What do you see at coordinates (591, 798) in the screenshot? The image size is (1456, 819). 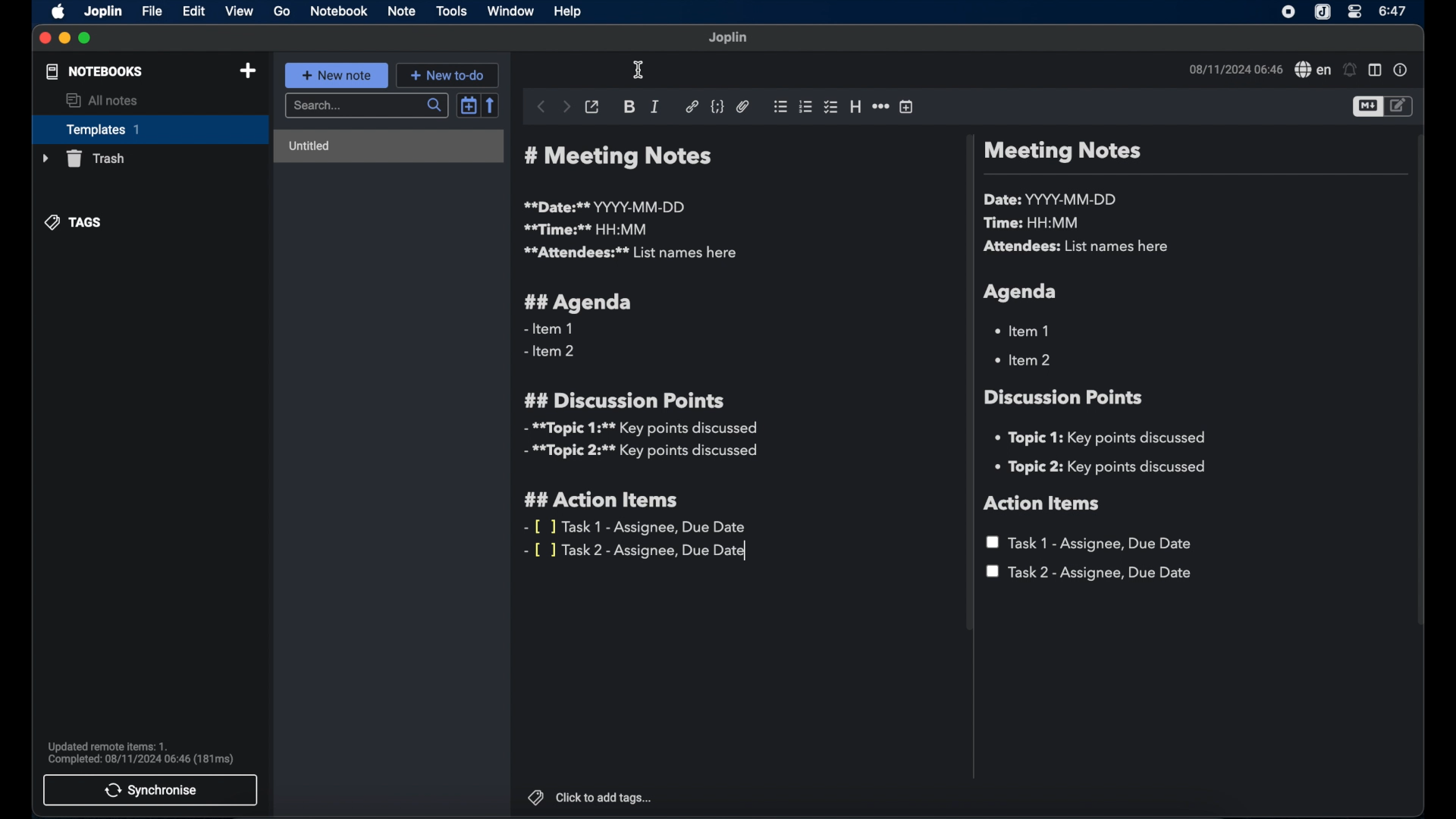 I see `click to add tags` at bounding box center [591, 798].